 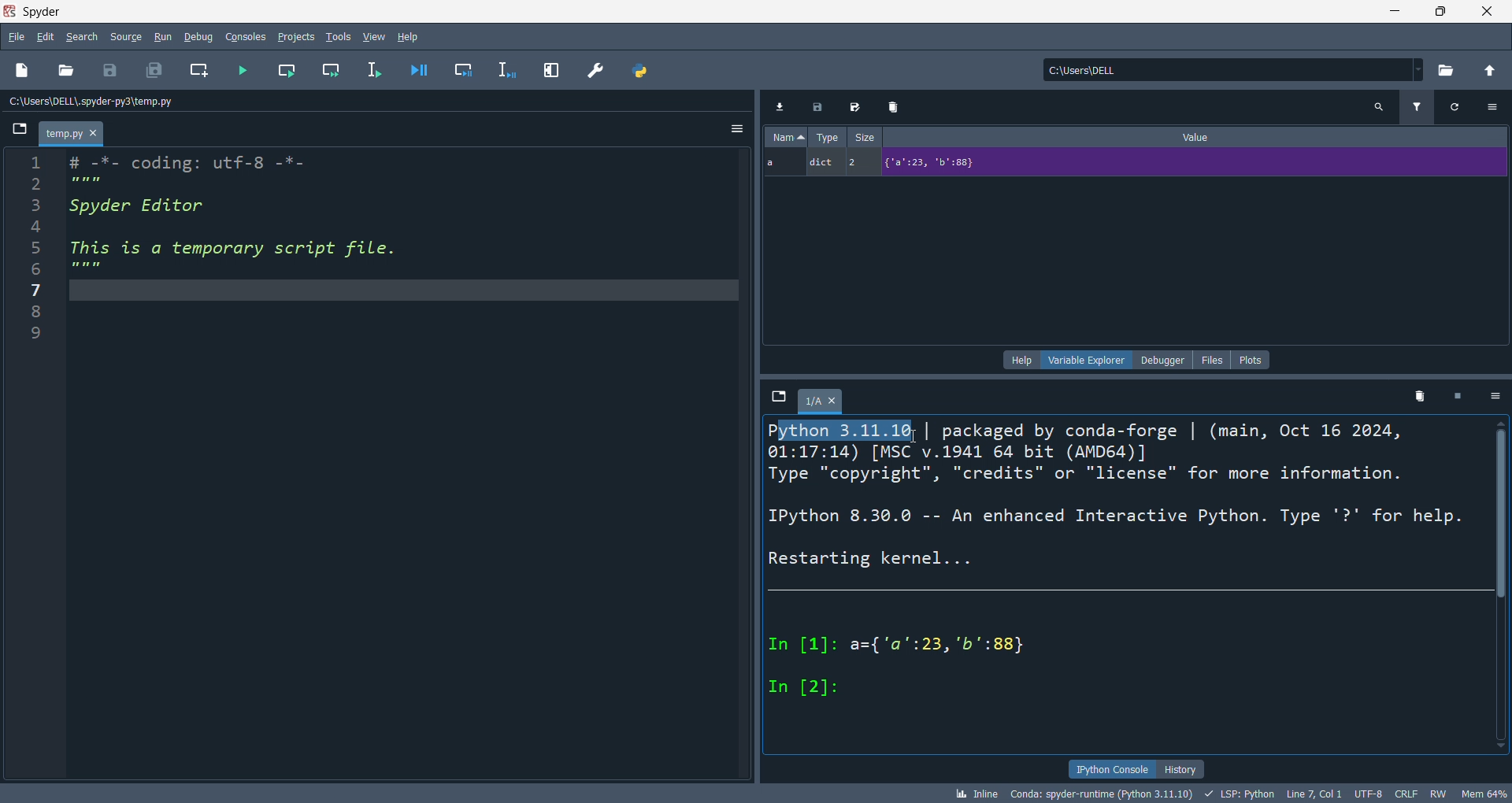 What do you see at coordinates (826, 136) in the screenshot?
I see `type` at bounding box center [826, 136].